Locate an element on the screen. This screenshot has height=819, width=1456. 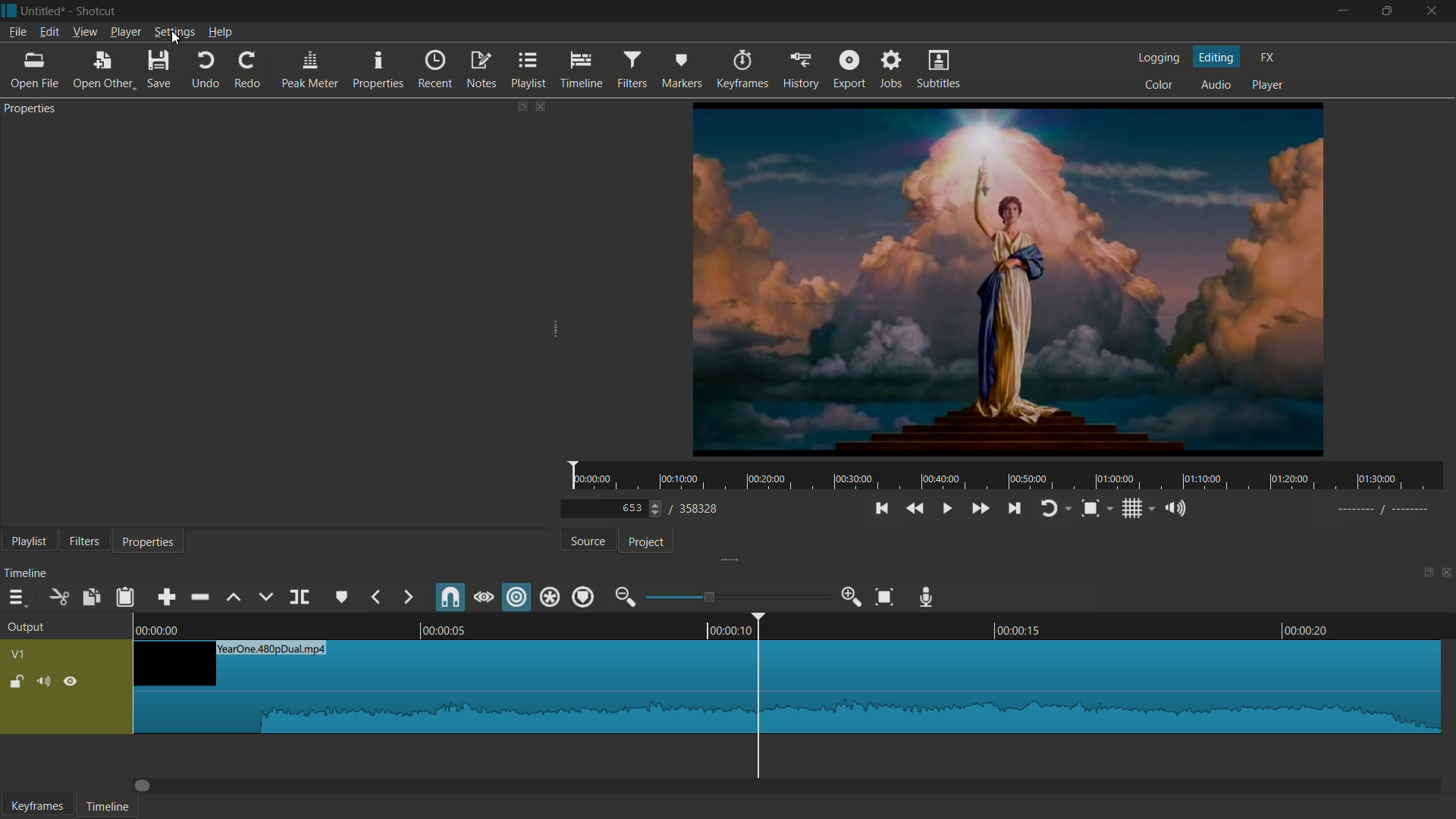
close properties is located at coordinates (540, 106).